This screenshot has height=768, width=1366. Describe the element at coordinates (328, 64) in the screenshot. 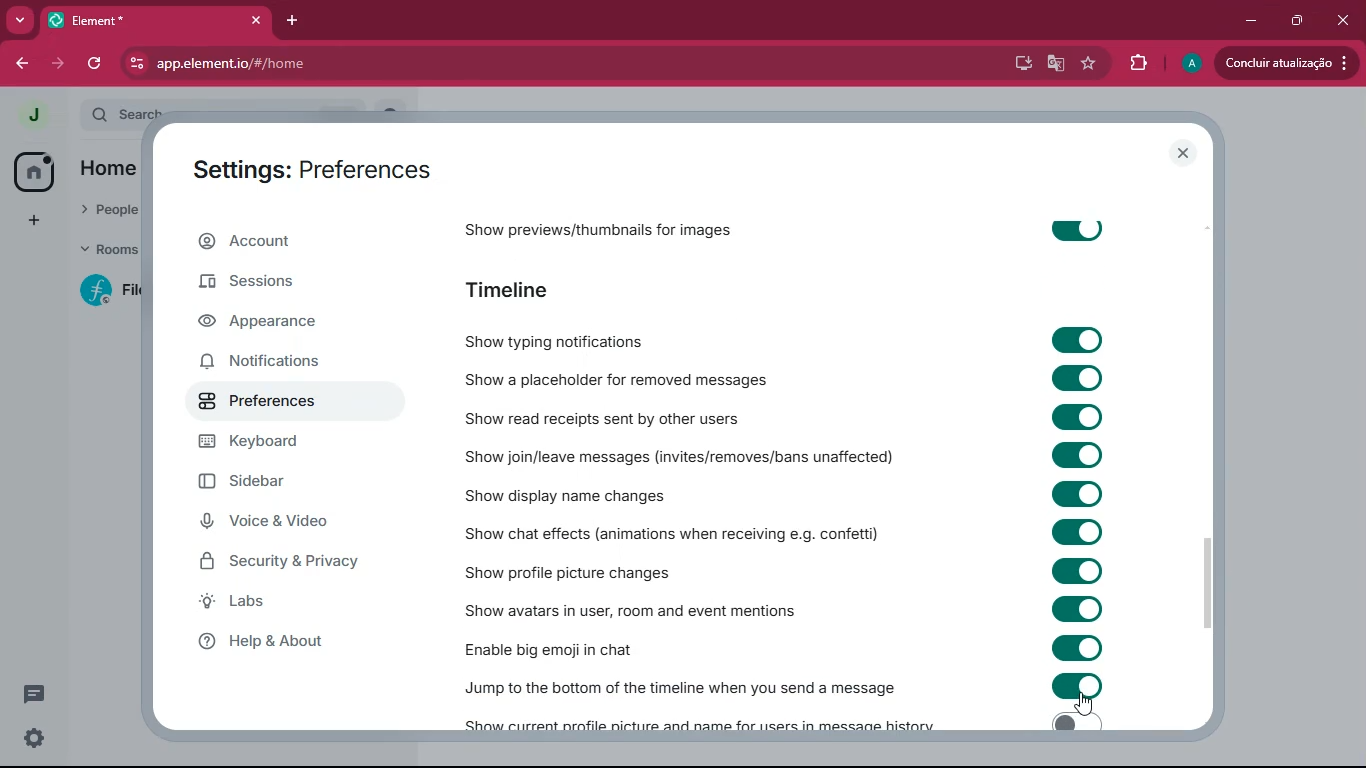

I see `app.element.io/#/home` at that location.